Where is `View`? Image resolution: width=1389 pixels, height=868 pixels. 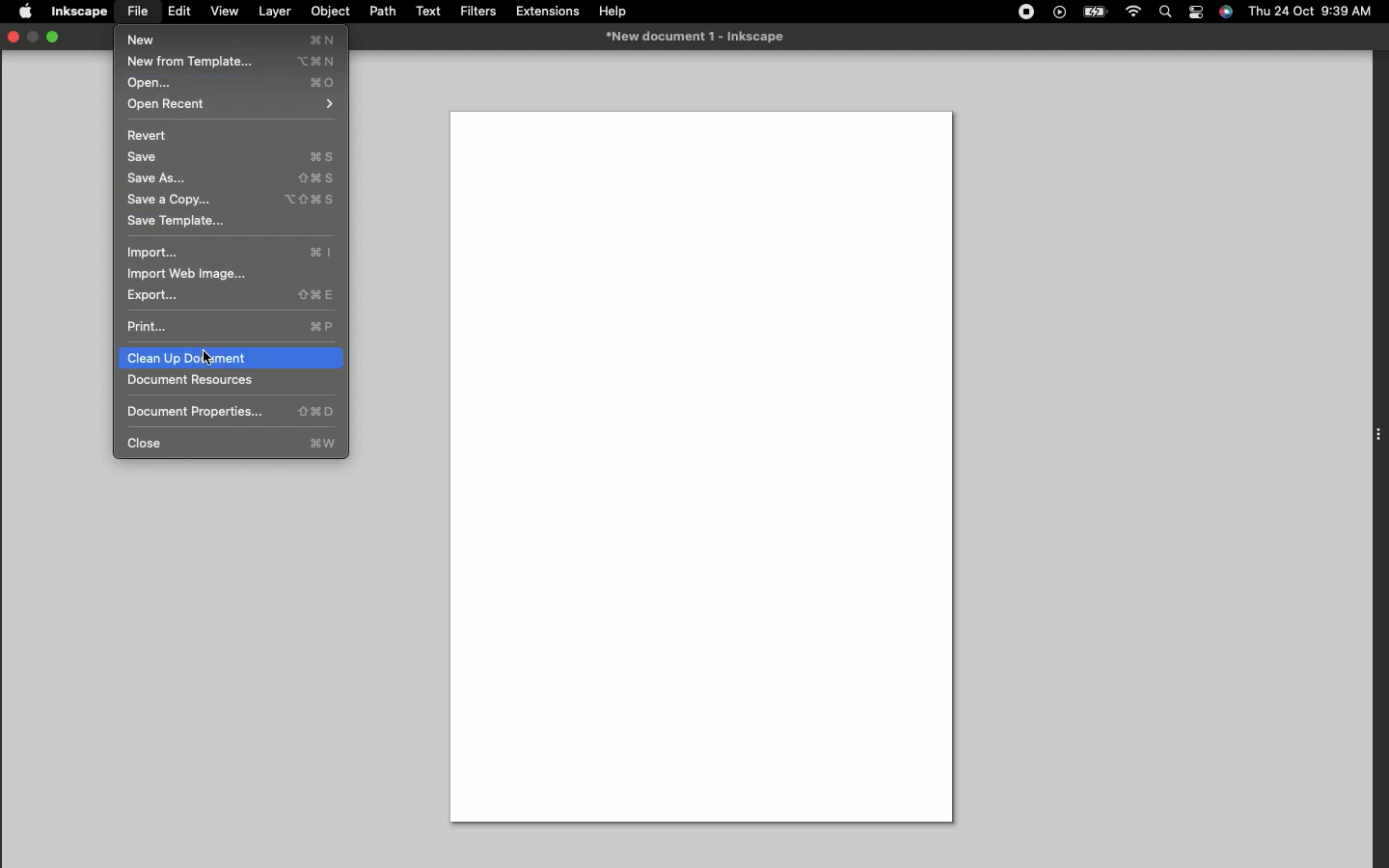 View is located at coordinates (222, 11).